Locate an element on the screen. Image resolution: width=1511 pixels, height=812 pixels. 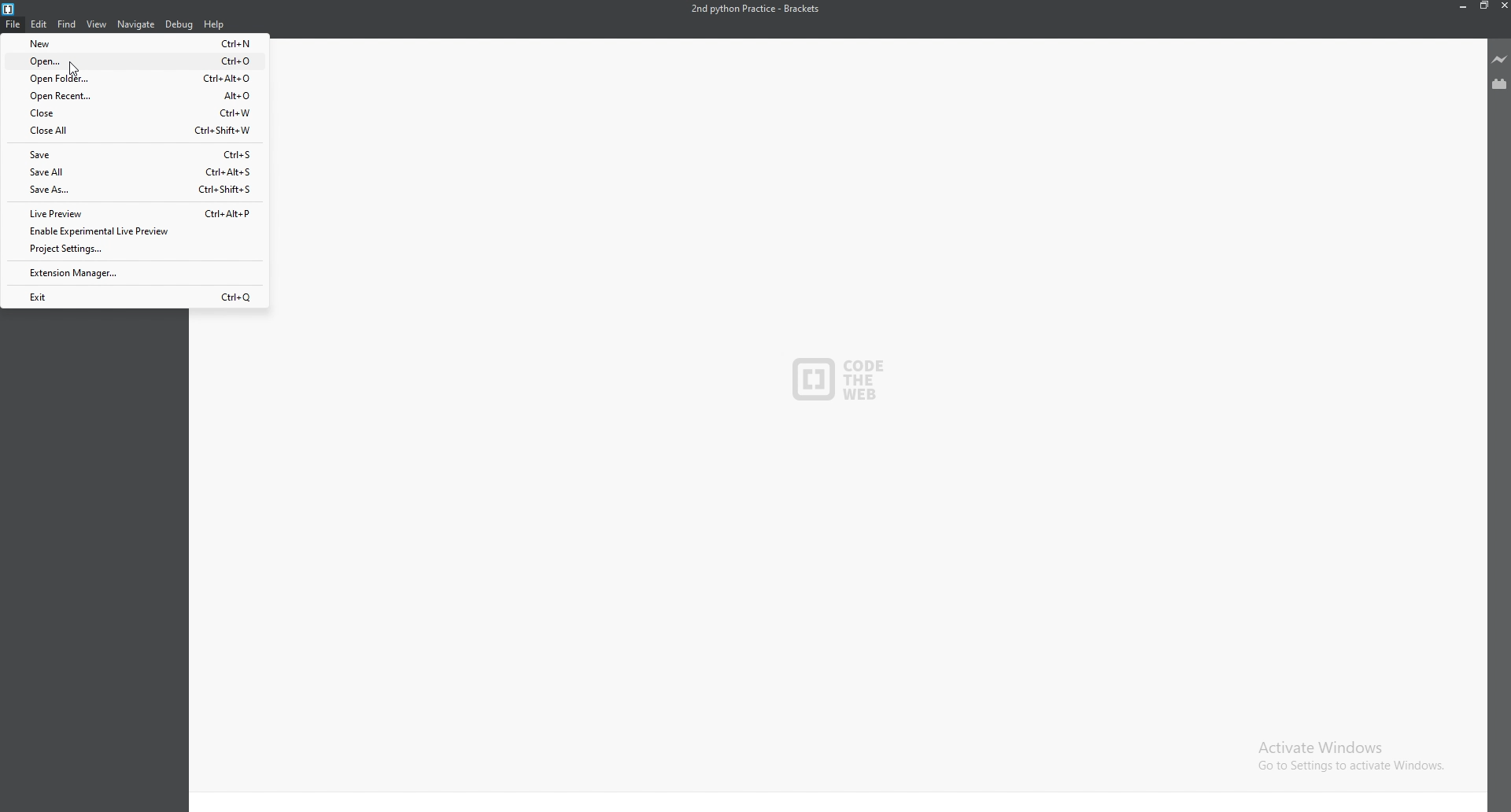
resize is located at coordinates (1483, 6).